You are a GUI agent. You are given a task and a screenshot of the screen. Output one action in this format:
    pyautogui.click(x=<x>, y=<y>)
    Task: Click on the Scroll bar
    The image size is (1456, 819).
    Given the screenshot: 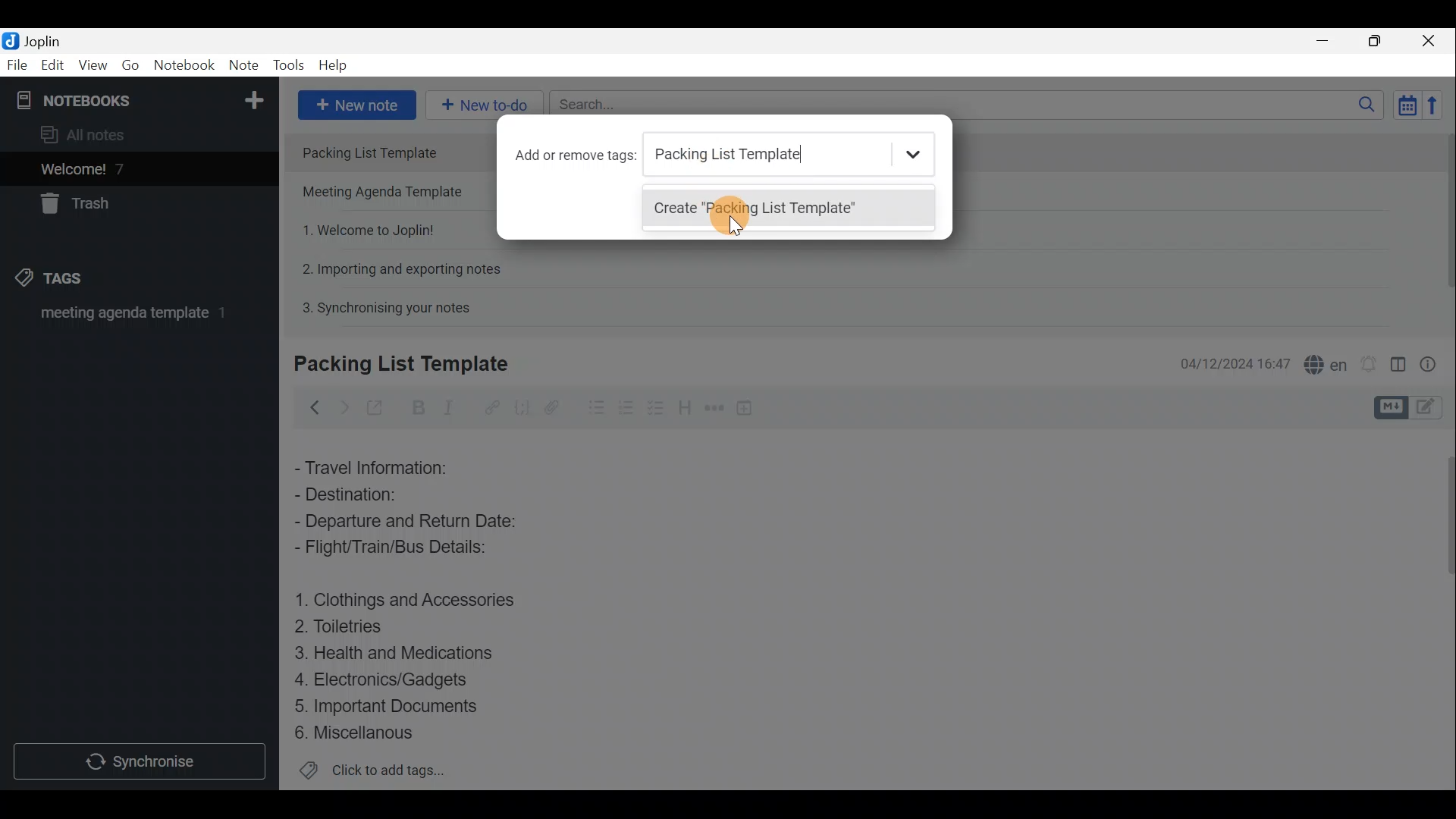 What is the action you would take?
    pyautogui.click(x=1442, y=221)
    